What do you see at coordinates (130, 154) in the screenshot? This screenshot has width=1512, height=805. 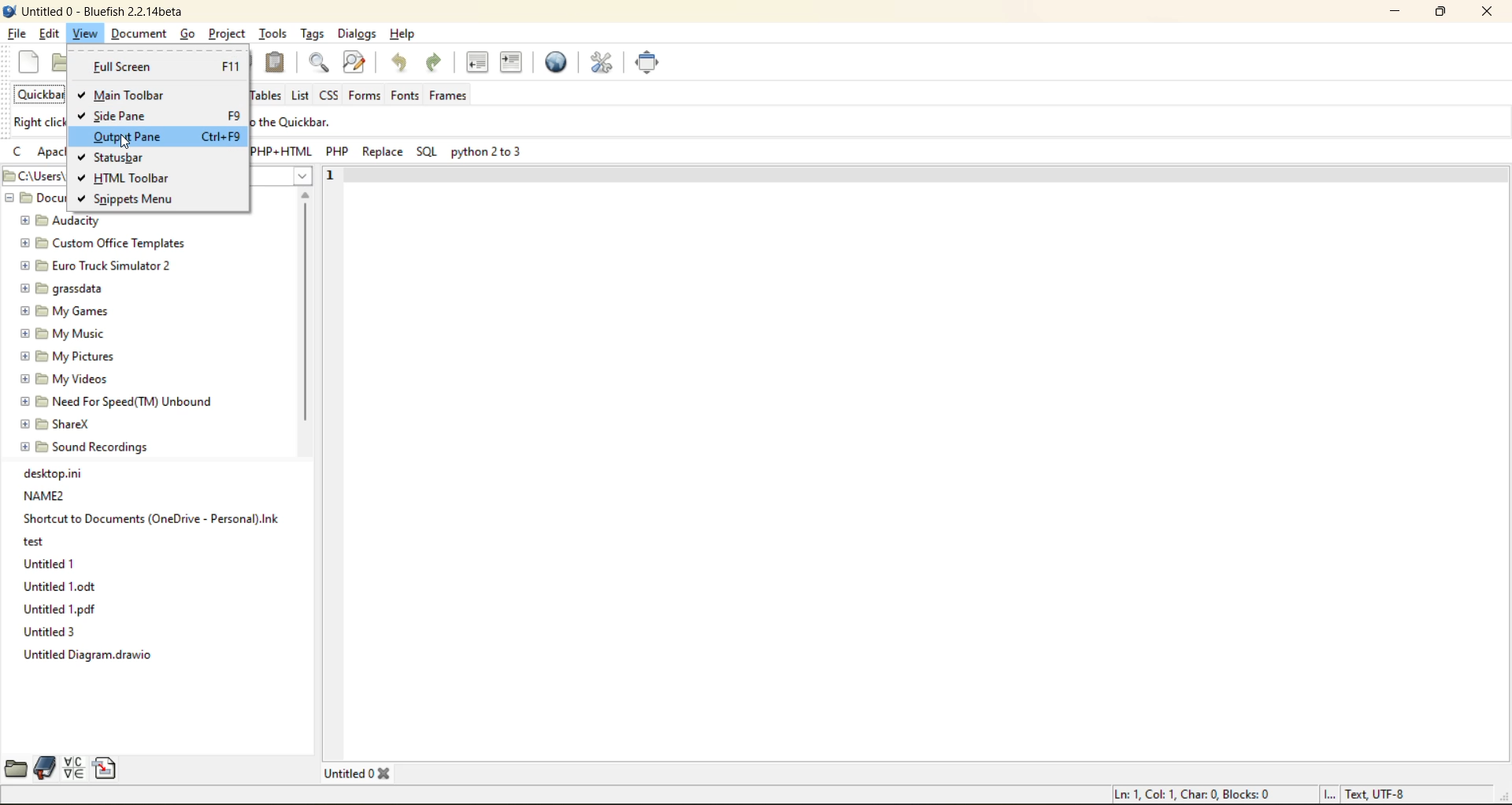 I see `statusbar` at bounding box center [130, 154].